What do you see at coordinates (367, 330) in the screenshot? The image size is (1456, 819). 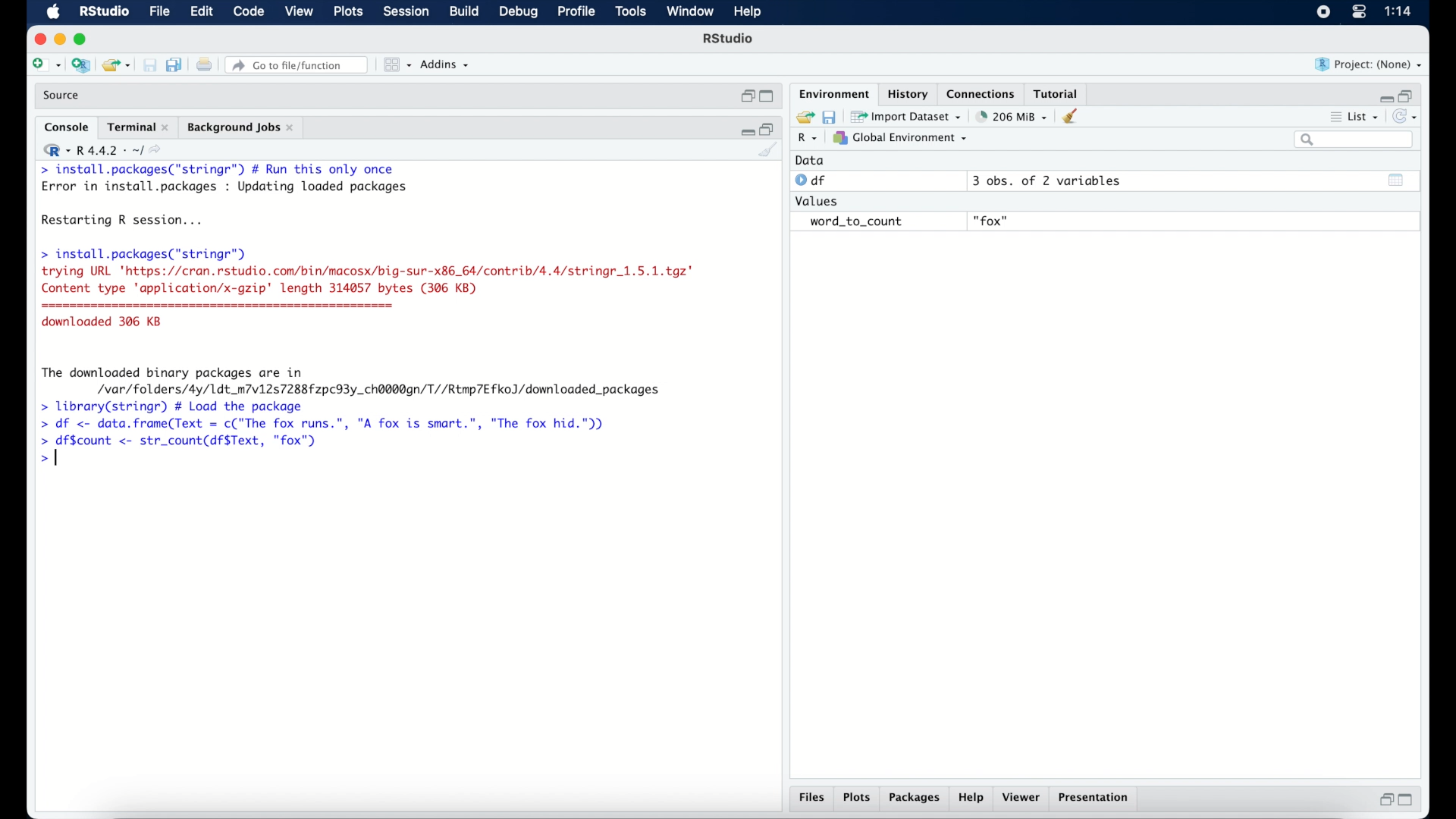 I see `> install.packages("stringr")

trying URL 'https://cran.rstudio.com/bin/macosx/big-sur-x86_64/contrib/4.4/stringr_1.5.1.tgz"

Content type application/x-gzip' length 314057 bytes (306 KB)

downloaded 306 KB

The downloaded binary packages are in
/var/folders/4y/1dt_m7v12s7288fzpc93y_ch@@0dgn/T//Rtmp7Efko)/downloaded_packages

> library(stringr) # Load the package]` at bounding box center [367, 330].